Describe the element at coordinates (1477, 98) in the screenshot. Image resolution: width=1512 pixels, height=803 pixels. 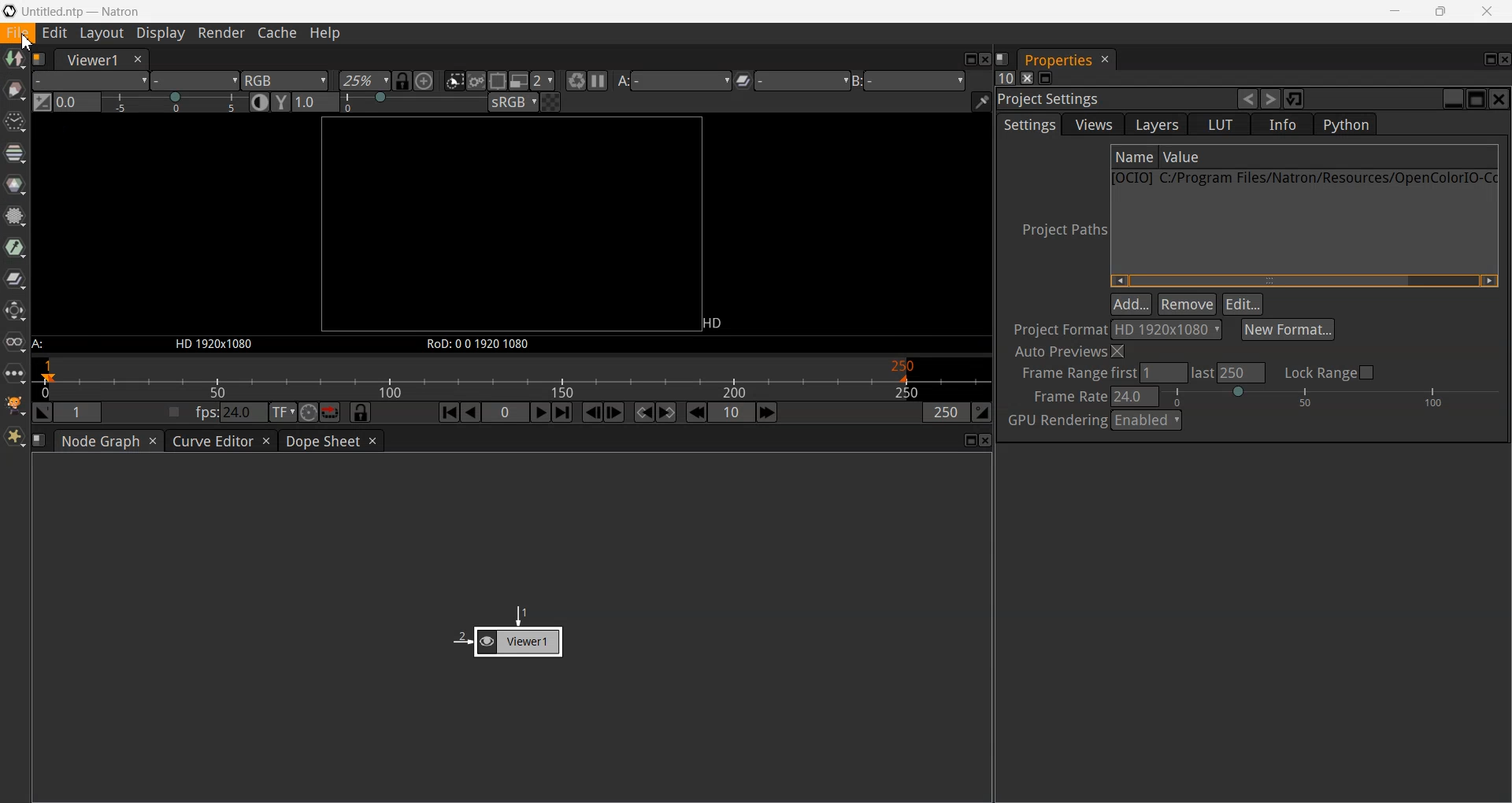
I see `Maximize` at that location.